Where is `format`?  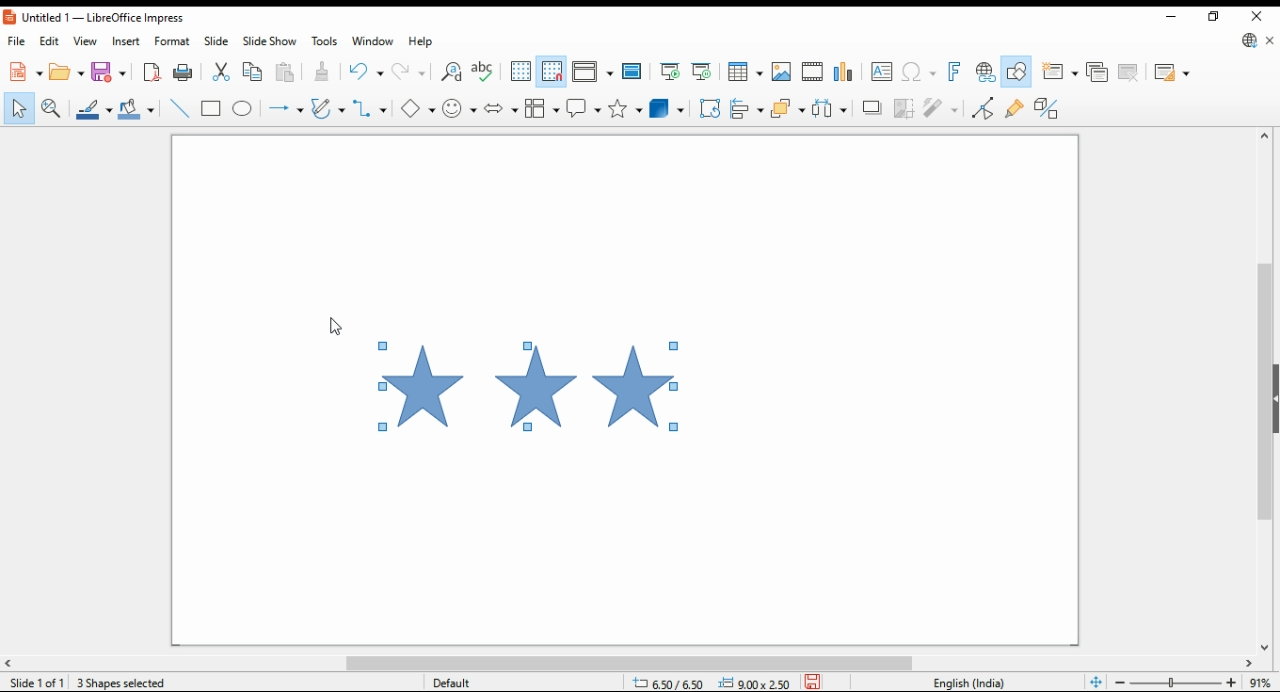 format is located at coordinates (174, 40).